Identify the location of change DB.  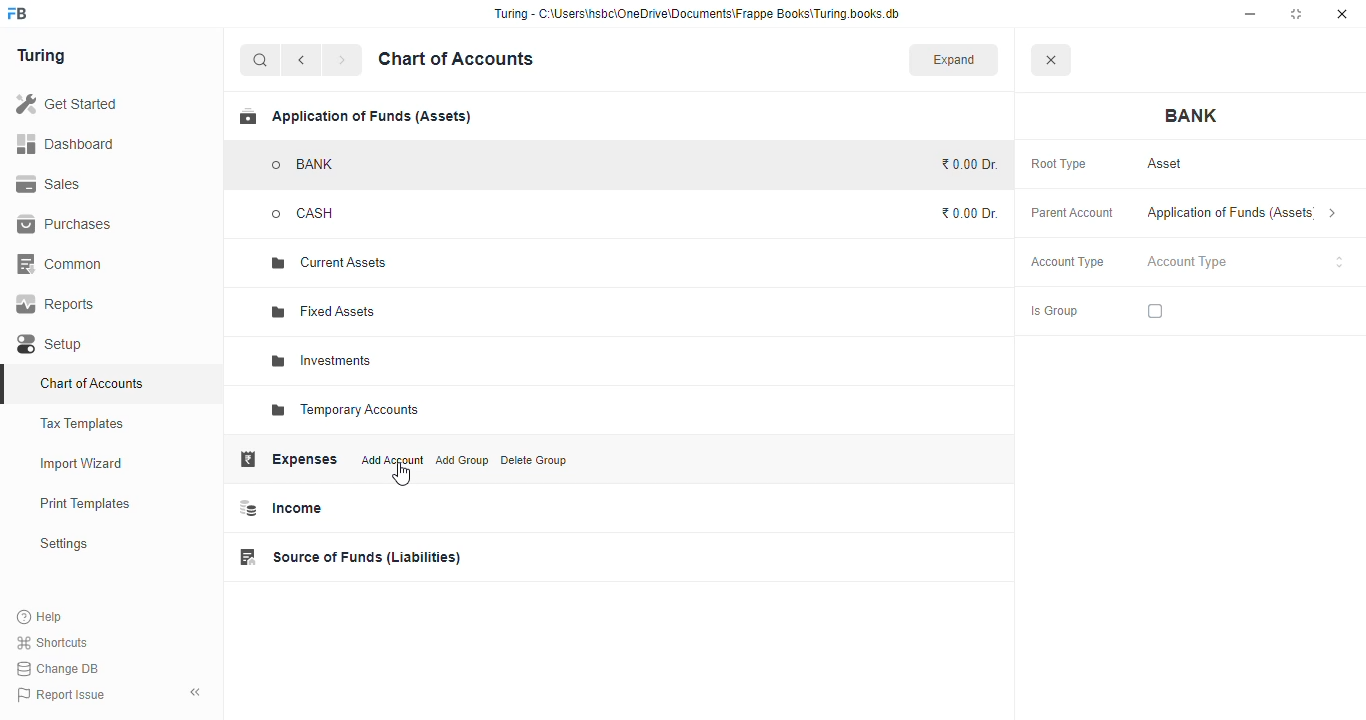
(59, 668).